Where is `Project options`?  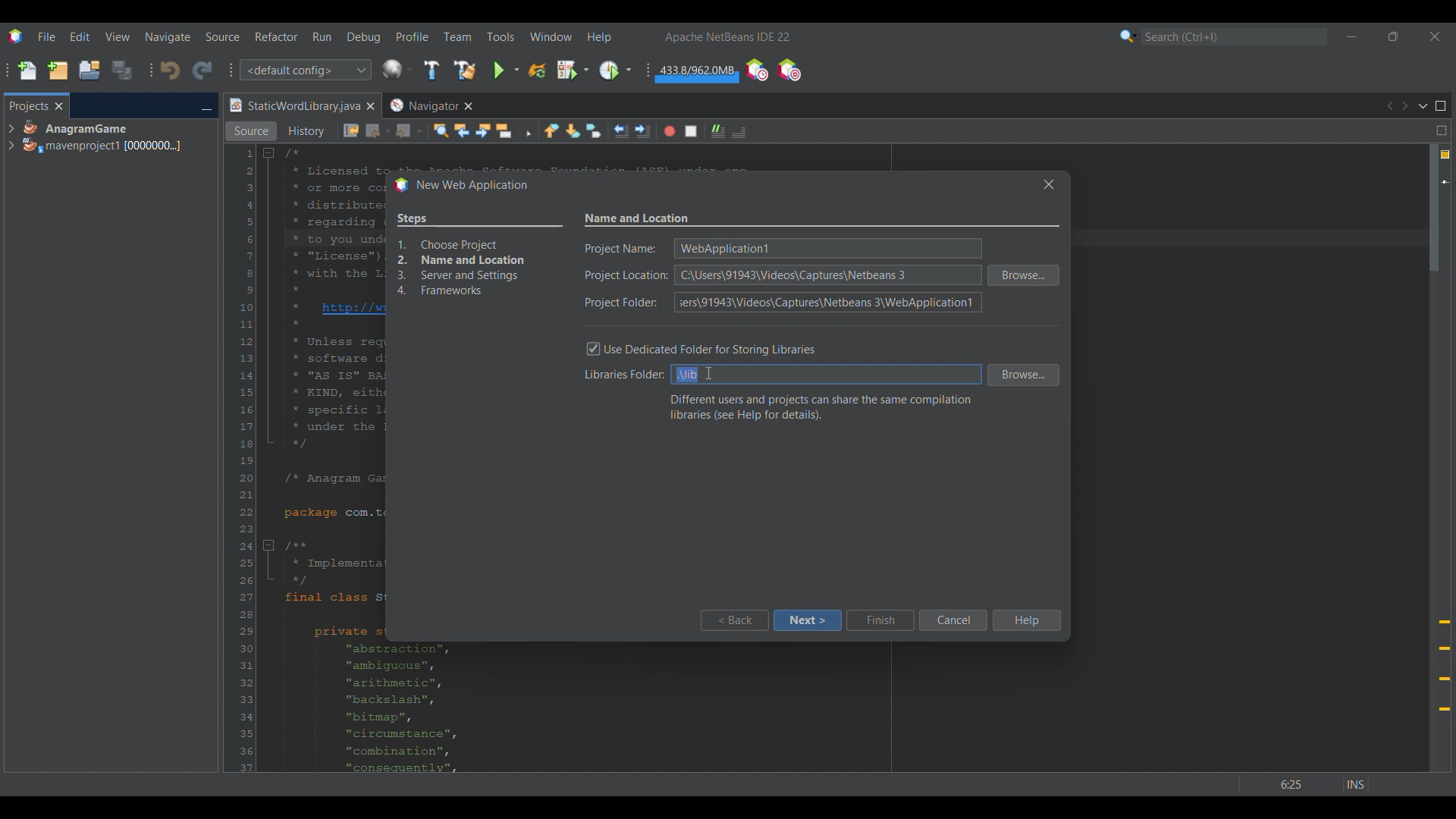 Project options is located at coordinates (103, 136).